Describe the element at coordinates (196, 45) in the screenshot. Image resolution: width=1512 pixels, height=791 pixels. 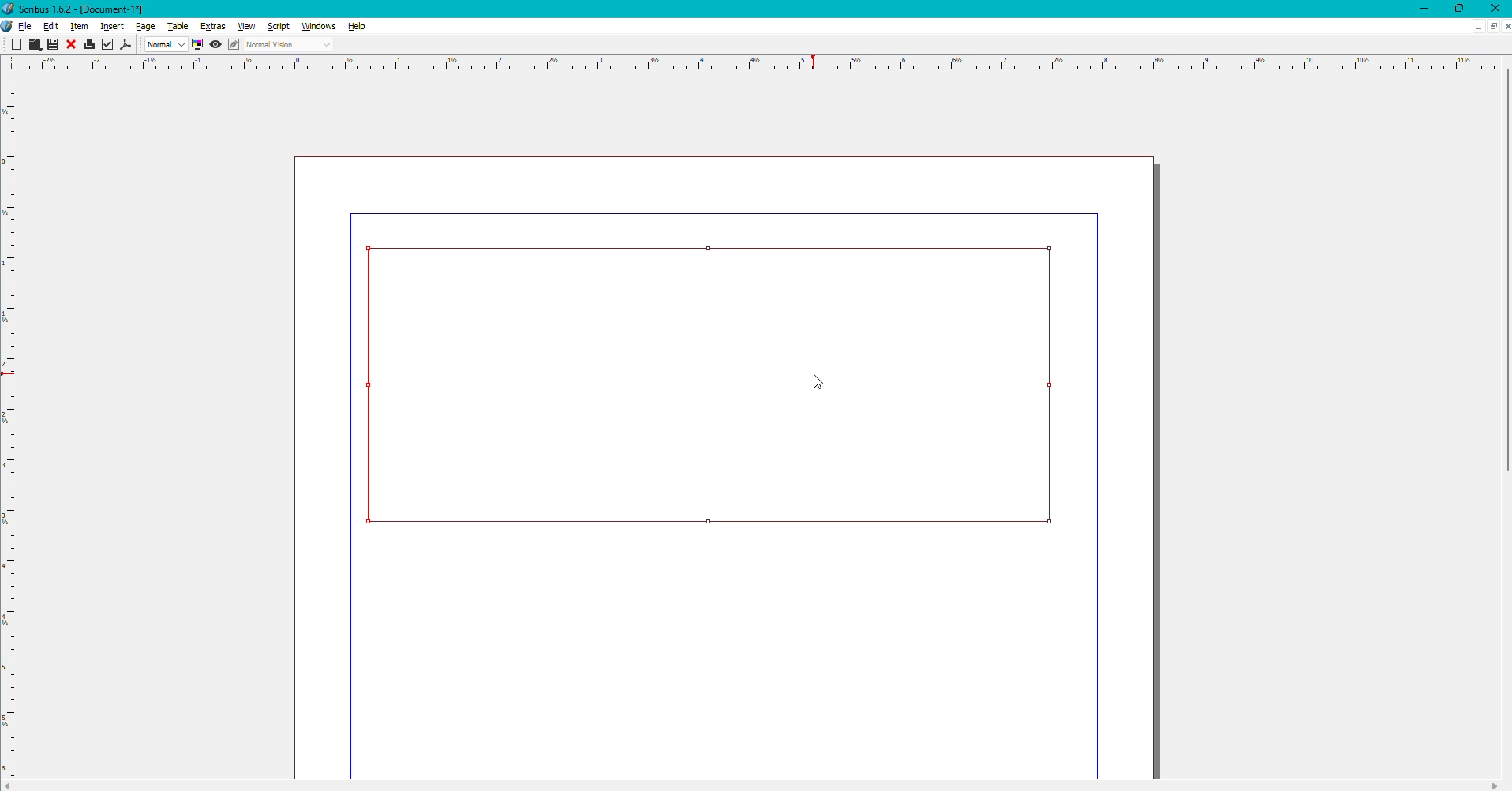
I see `Display` at that location.